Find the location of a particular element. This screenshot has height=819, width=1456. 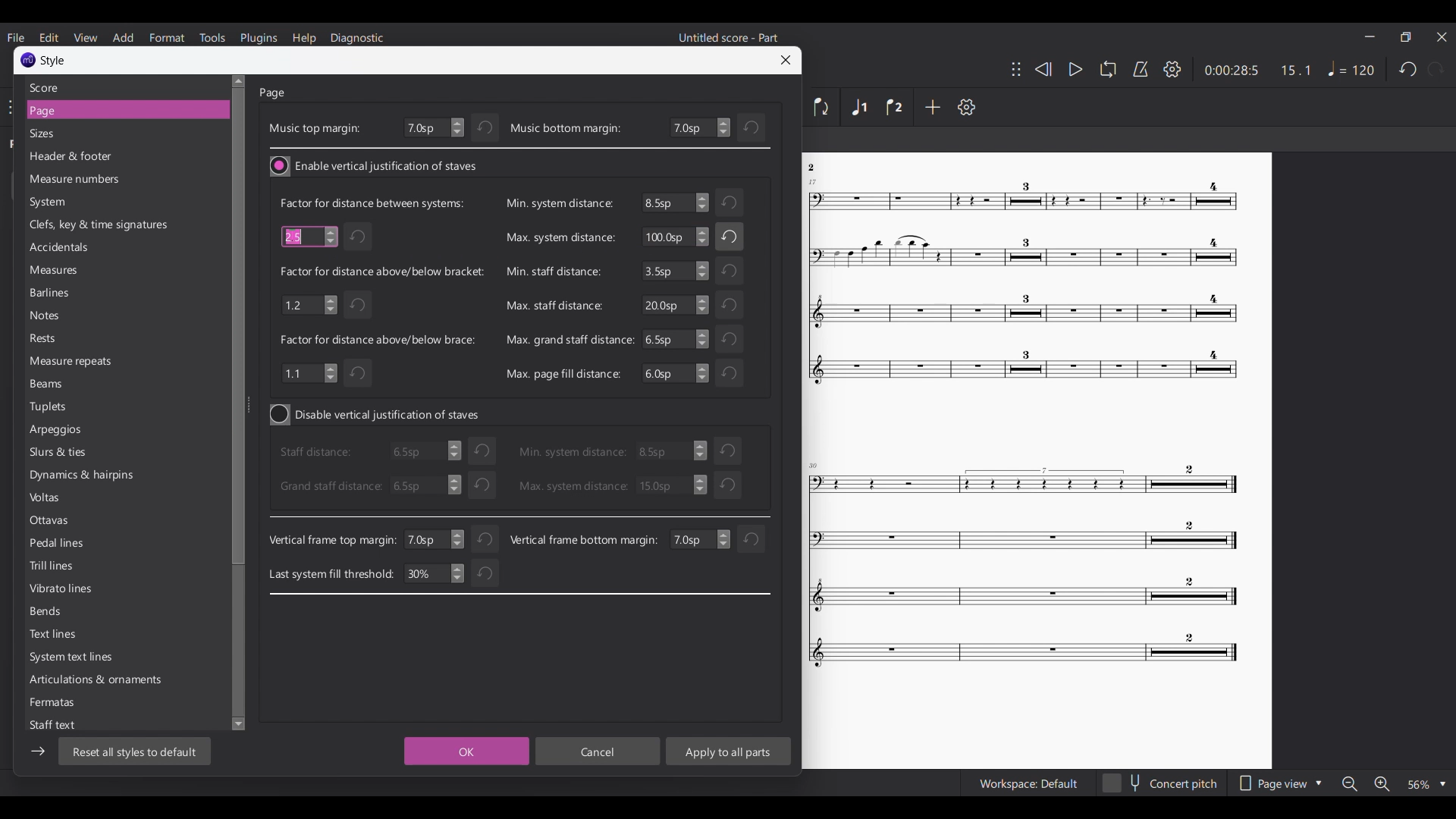

Zoom in is located at coordinates (1382, 784).